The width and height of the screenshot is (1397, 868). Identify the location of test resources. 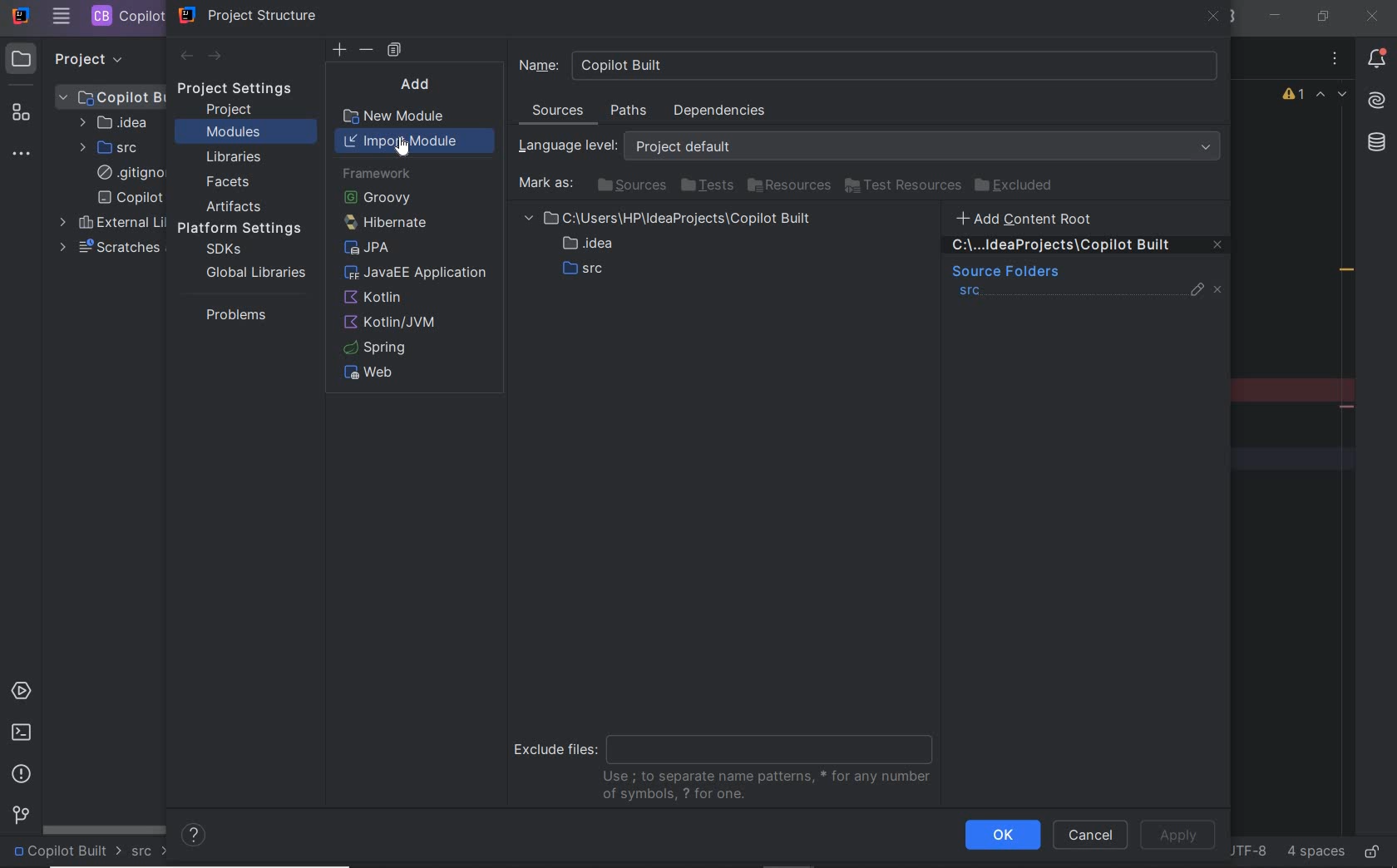
(904, 186).